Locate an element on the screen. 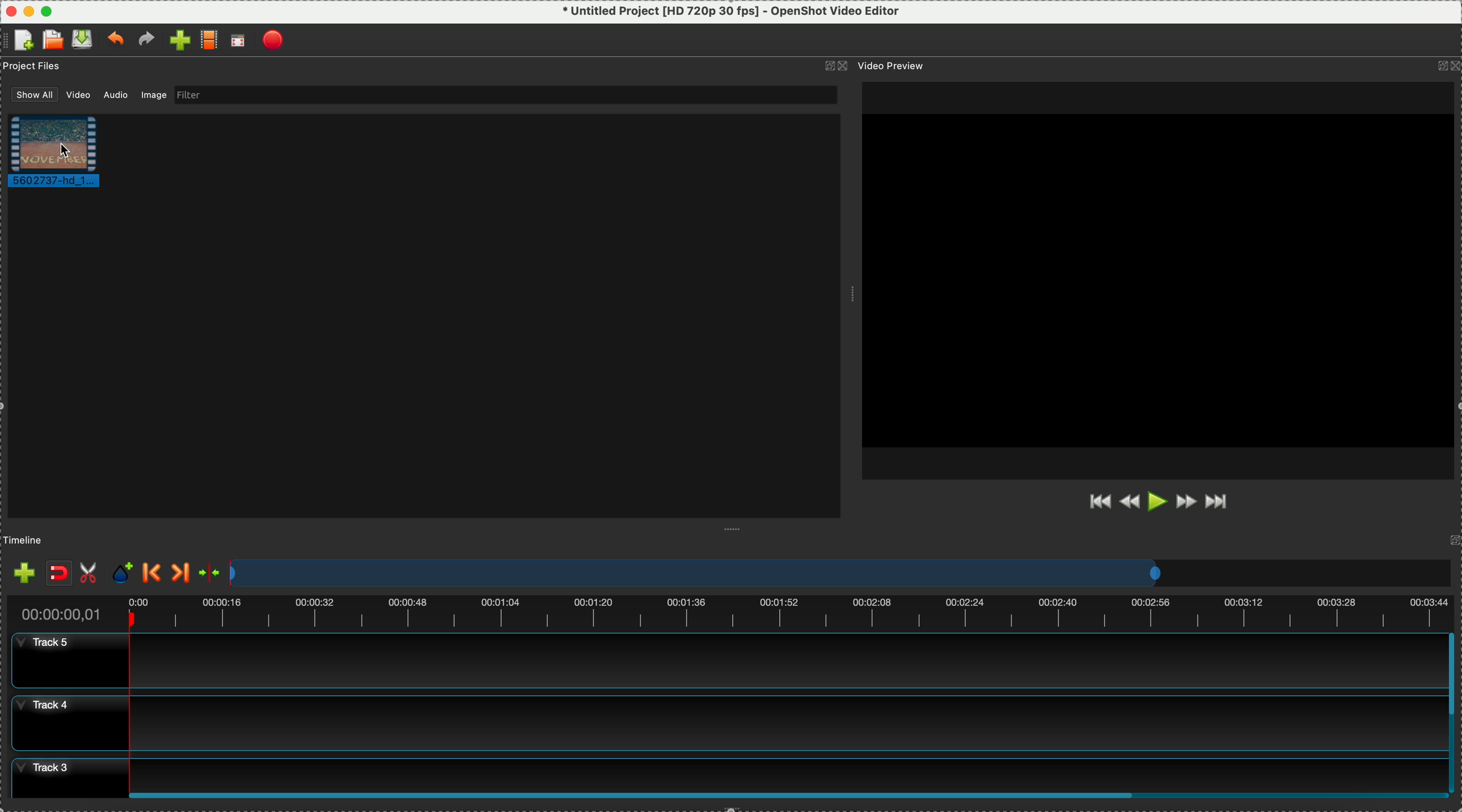  close is located at coordinates (9, 9).